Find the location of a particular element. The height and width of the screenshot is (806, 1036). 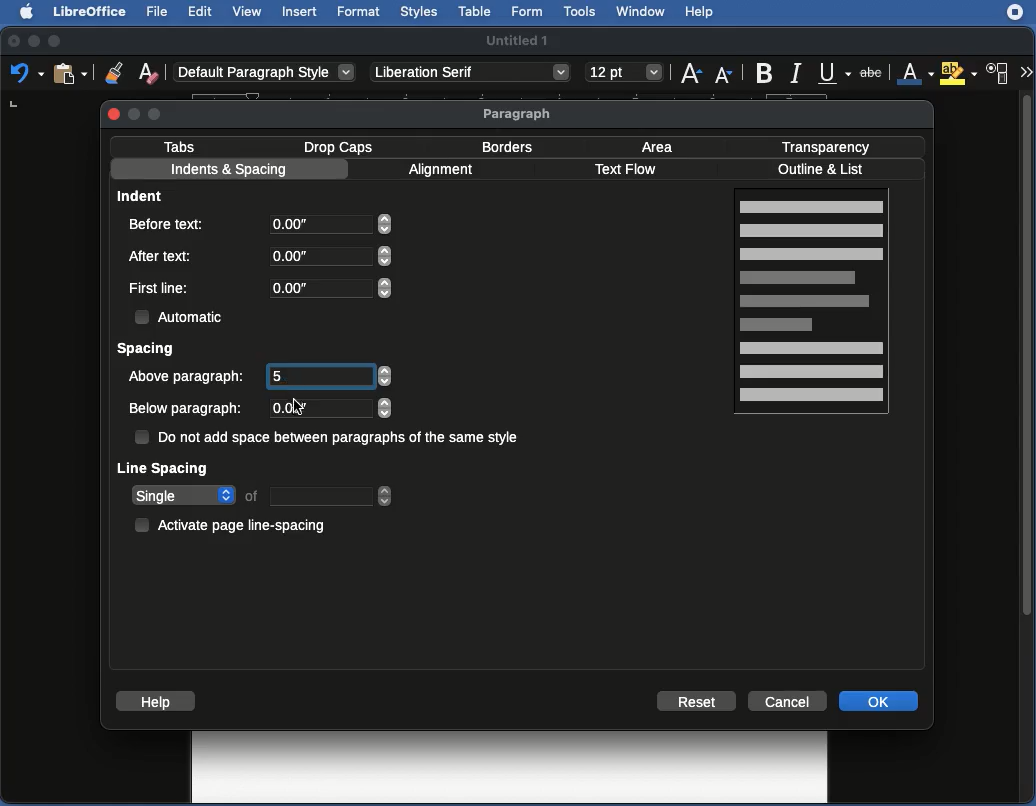

Reset is located at coordinates (697, 701).